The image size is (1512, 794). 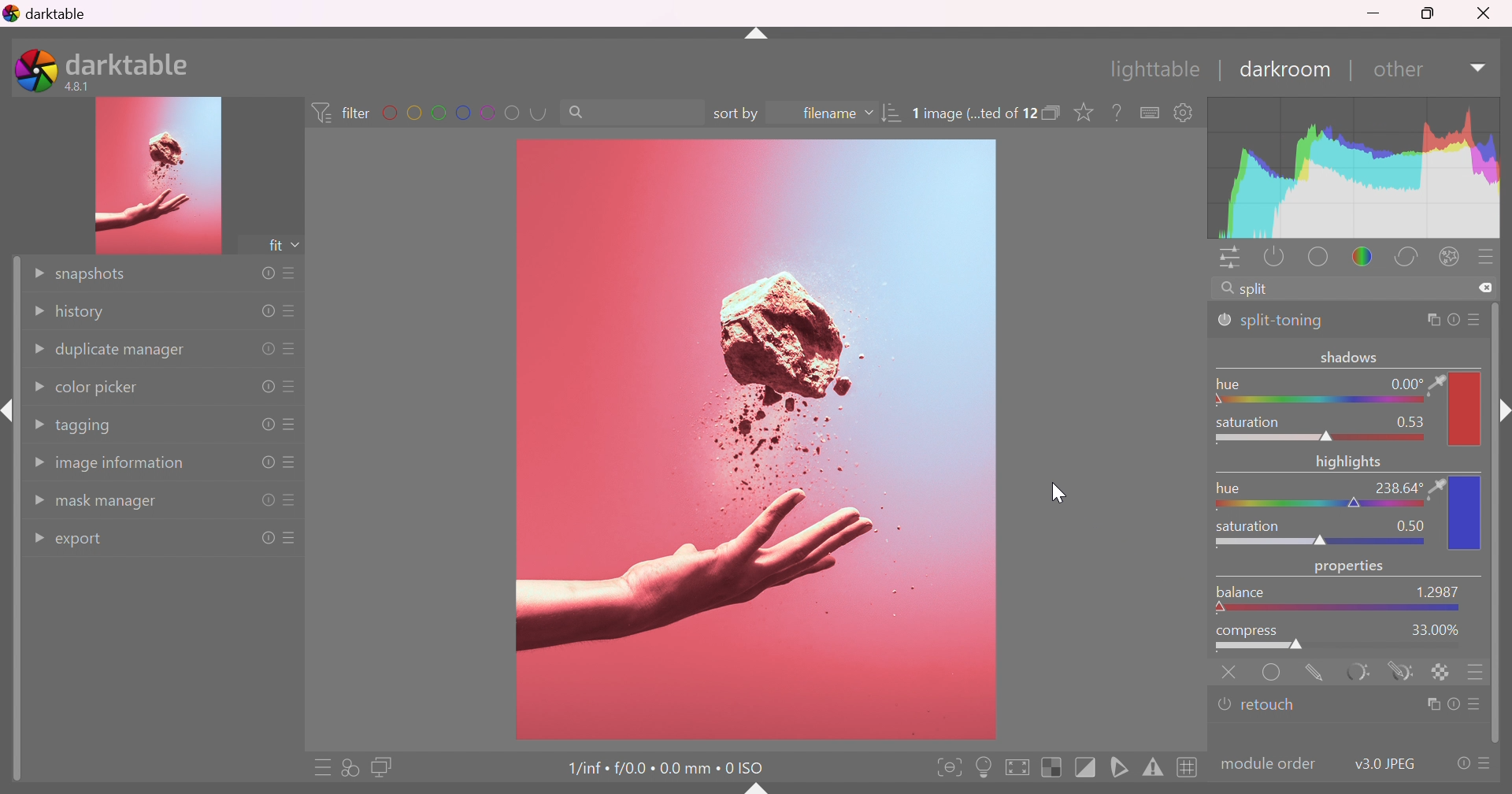 What do you see at coordinates (1325, 541) in the screenshot?
I see `slider` at bounding box center [1325, 541].